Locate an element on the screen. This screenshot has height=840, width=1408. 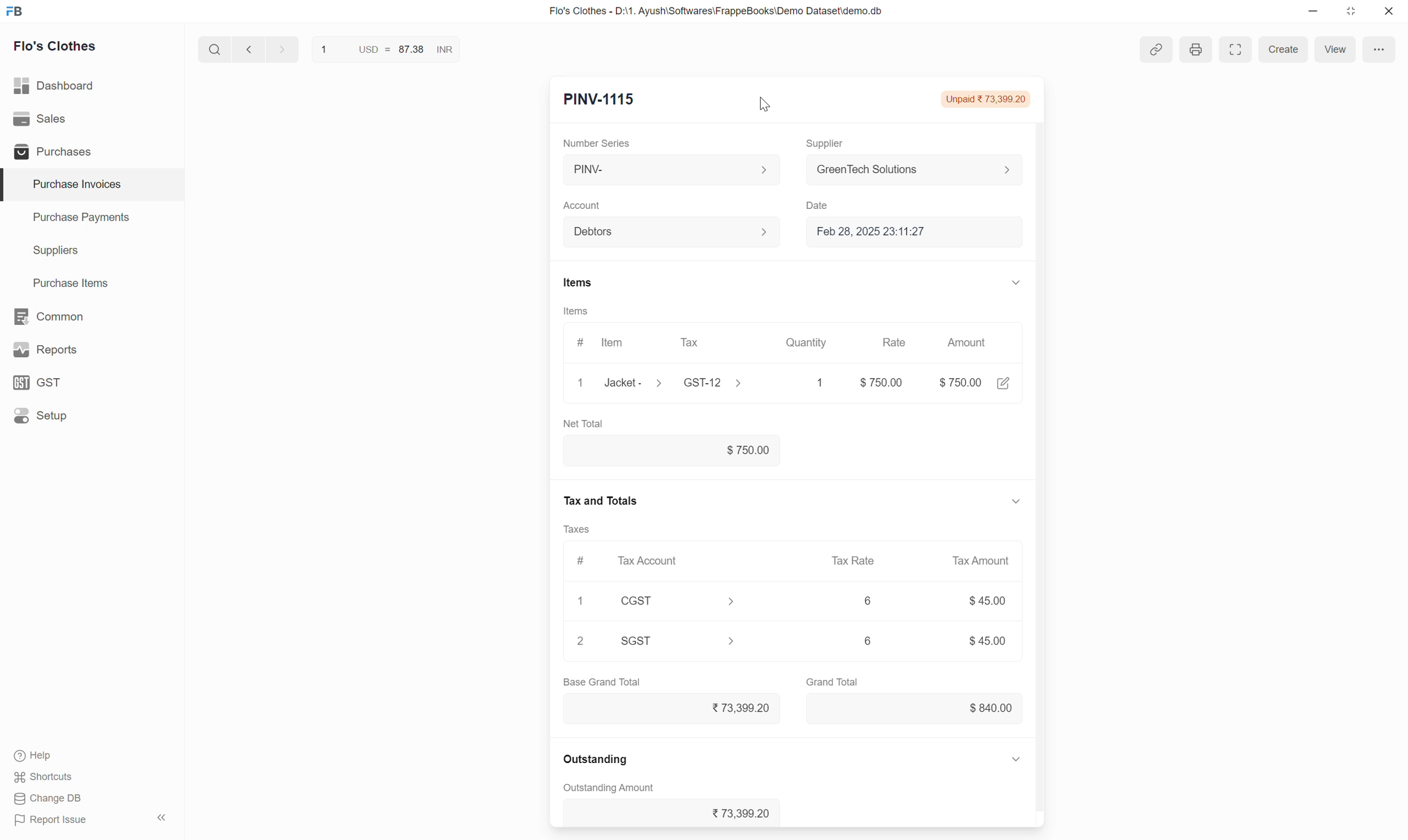
Number Series is located at coordinates (596, 143).